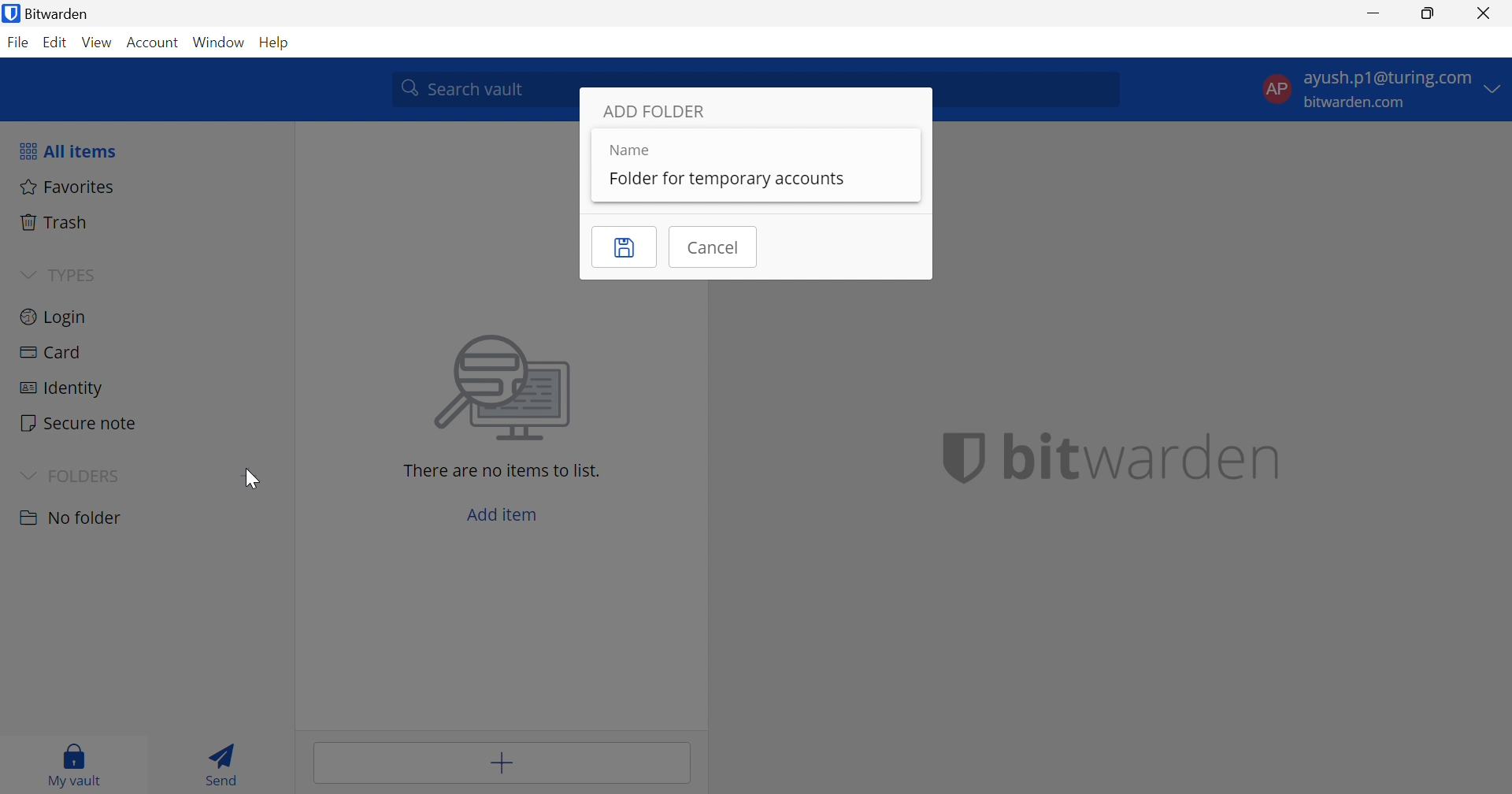 The image size is (1512, 794). Describe the element at coordinates (954, 458) in the screenshot. I see `bitwarden logo` at that location.